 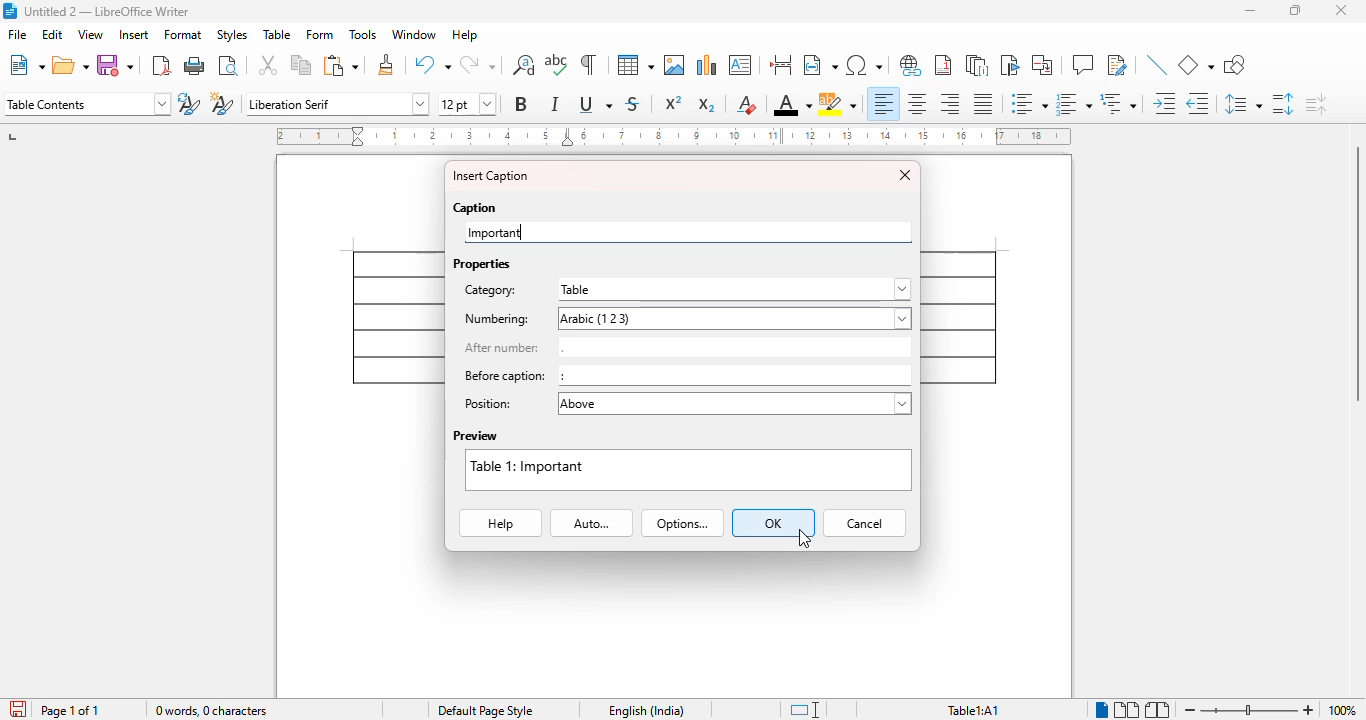 I want to click on options, so click(x=683, y=523).